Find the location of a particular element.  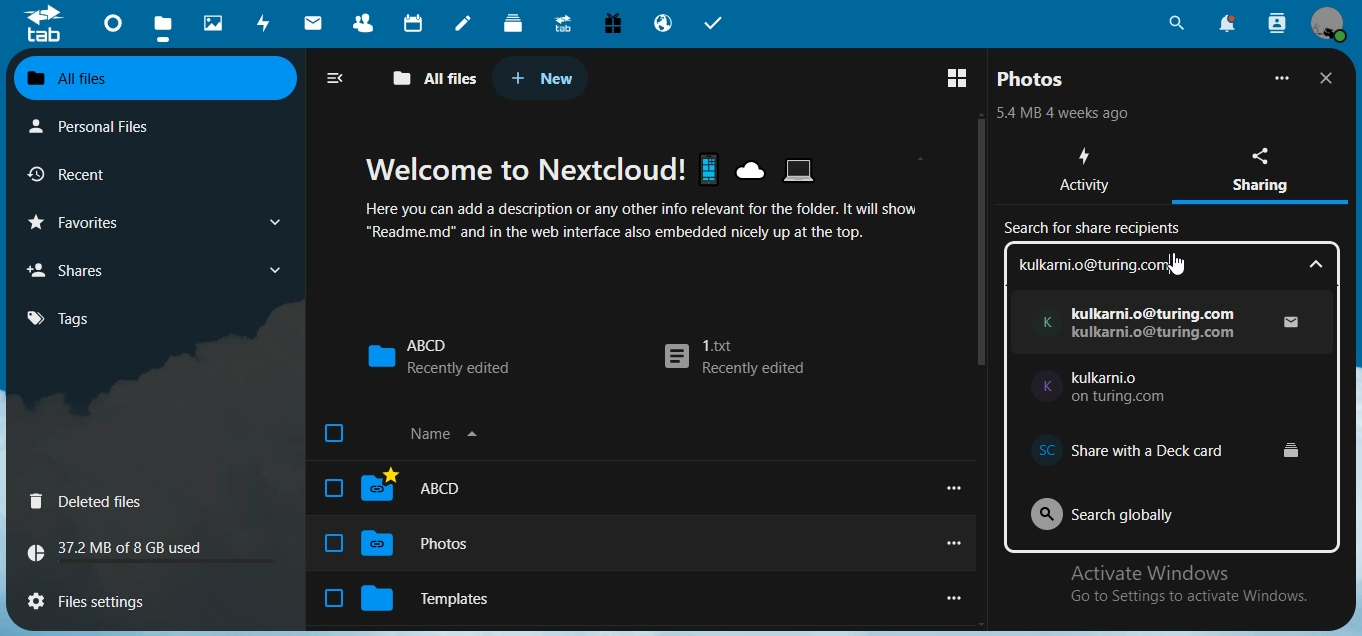

deleted files is located at coordinates (91, 503).